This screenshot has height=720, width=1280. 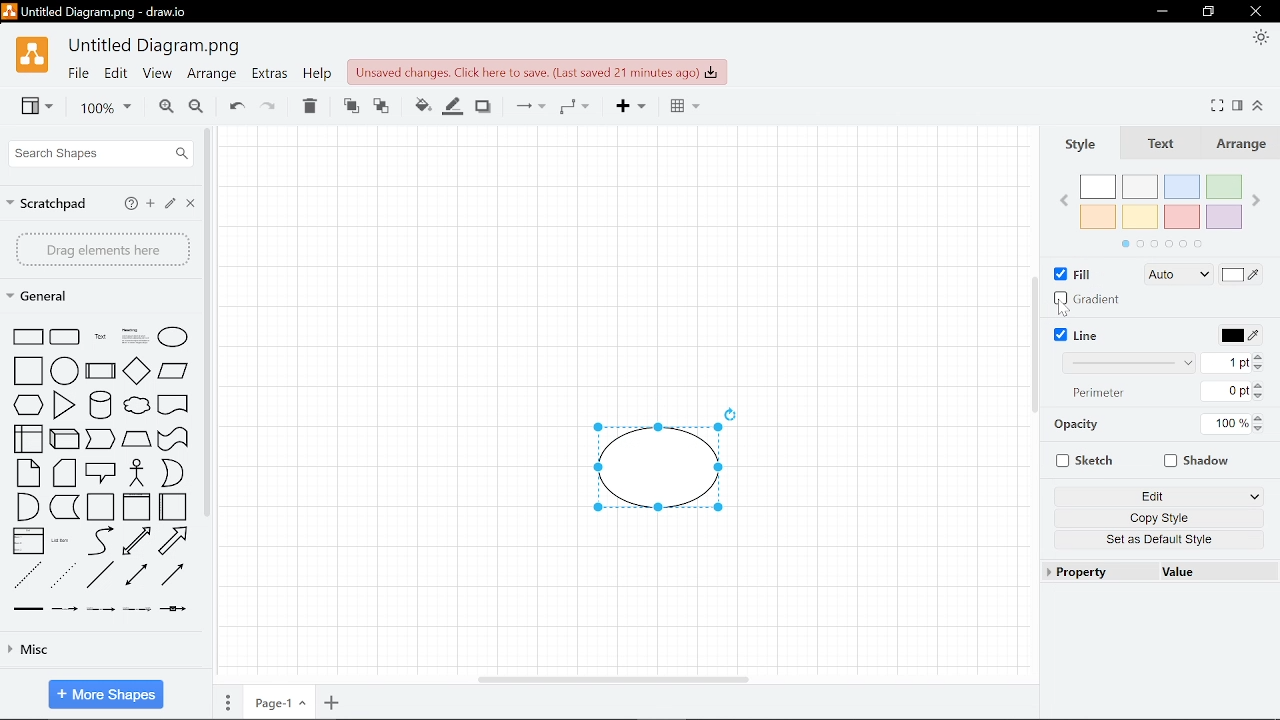 What do you see at coordinates (680, 105) in the screenshot?
I see `Table` at bounding box center [680, 105].